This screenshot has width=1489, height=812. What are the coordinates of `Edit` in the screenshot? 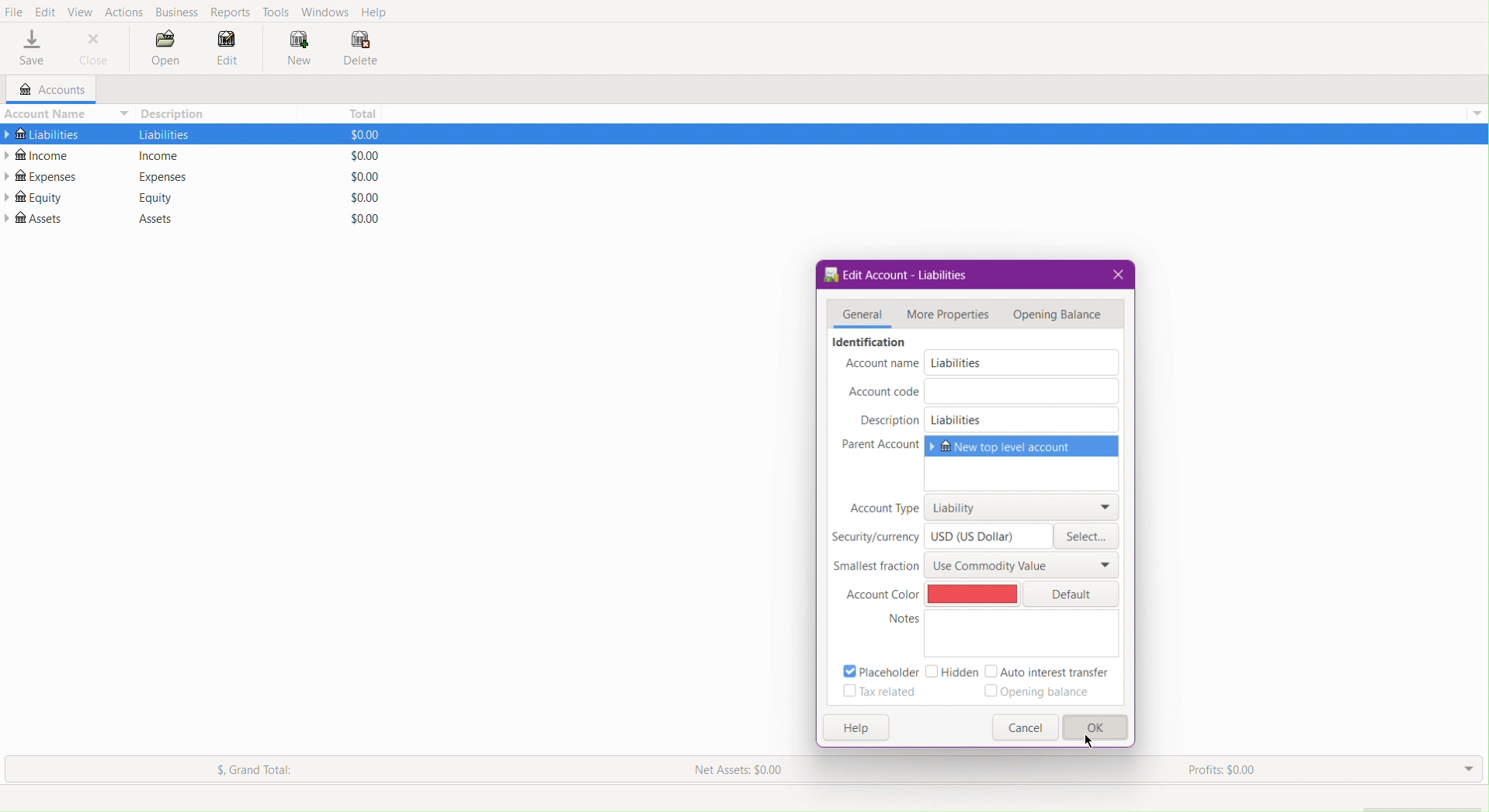 It's located at (227, 52).